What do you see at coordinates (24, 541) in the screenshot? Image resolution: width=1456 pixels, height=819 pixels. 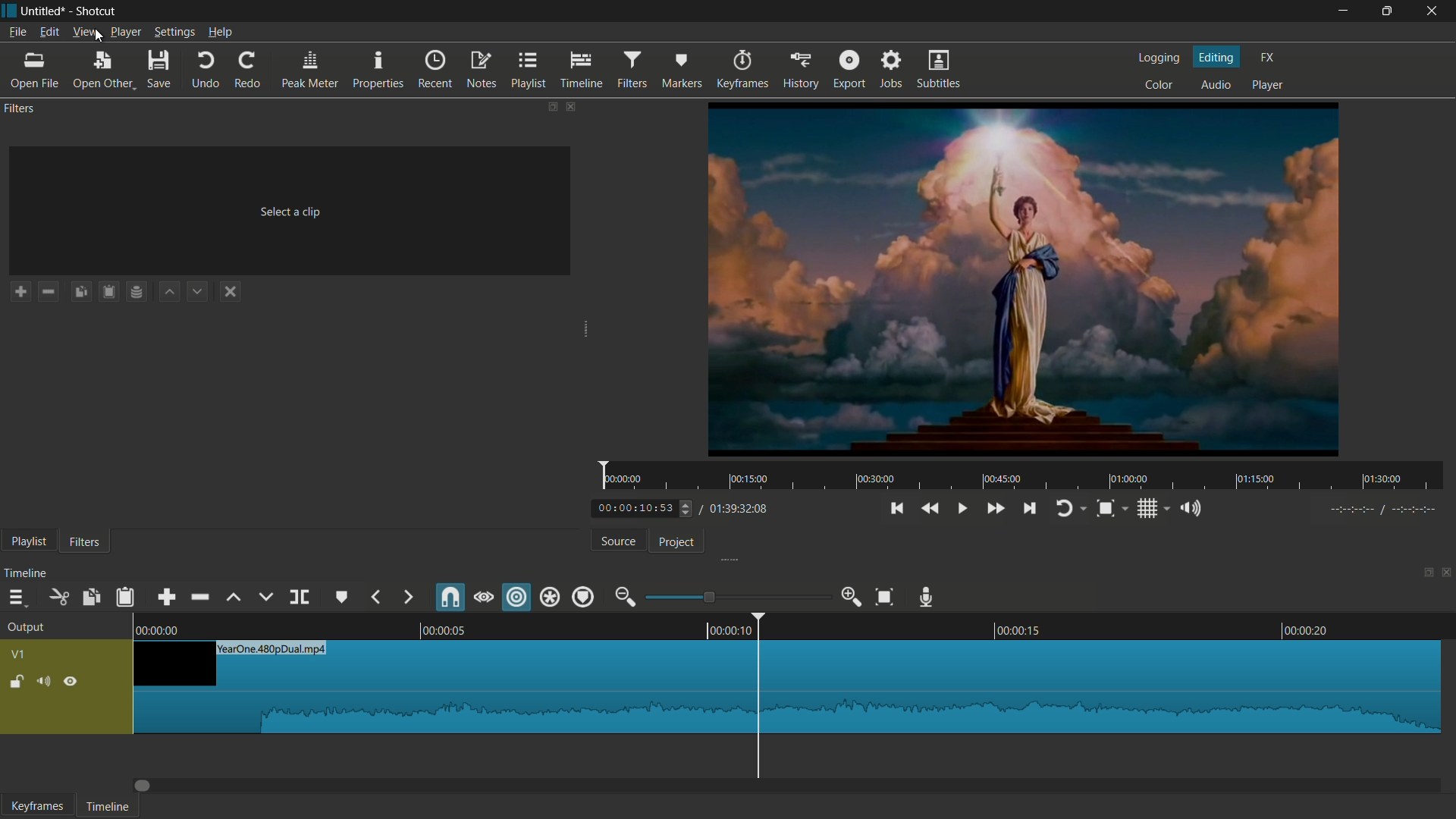 I see `playlist` at bounding box center [24, 541].